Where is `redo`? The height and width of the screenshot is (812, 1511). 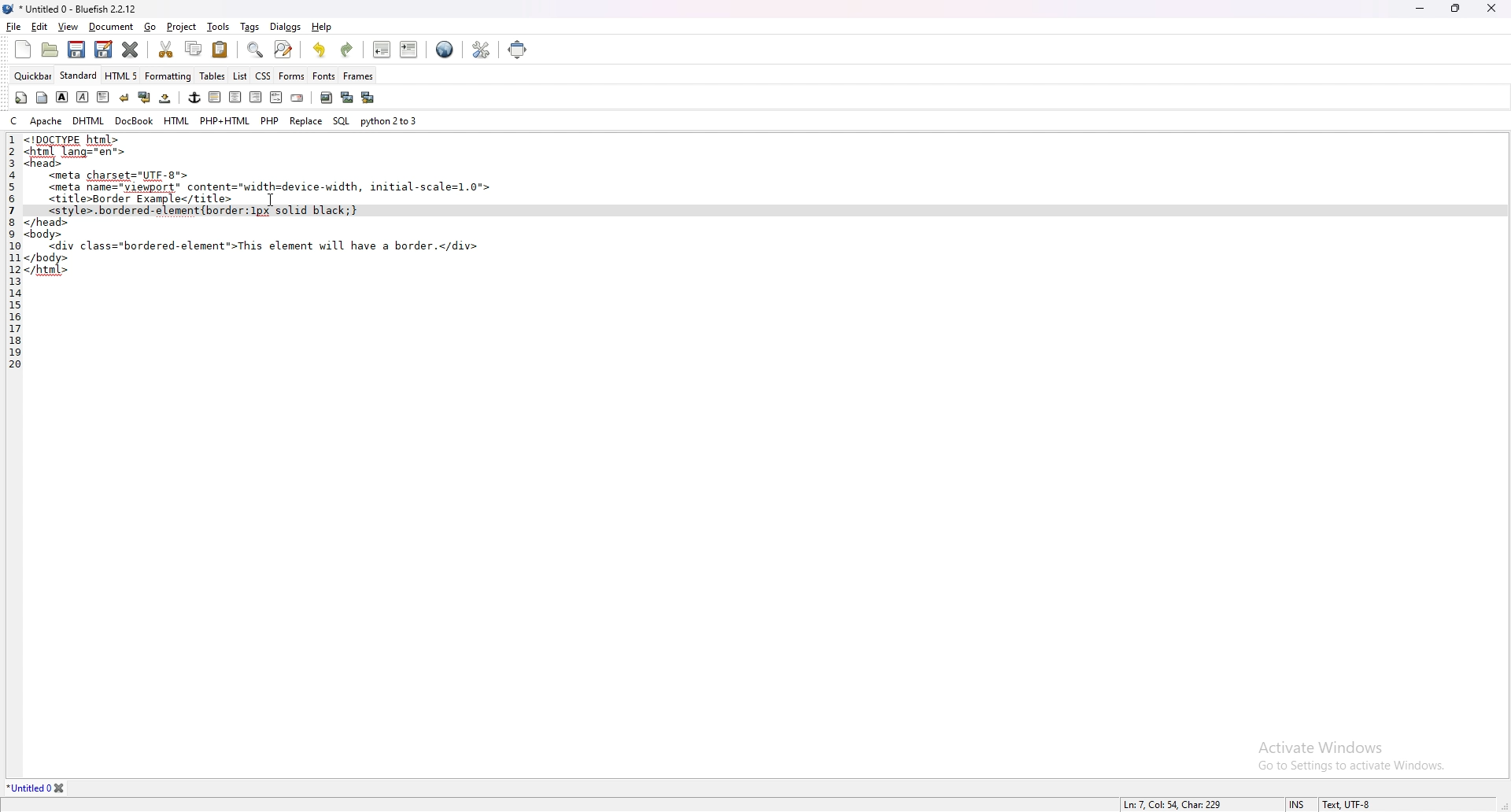 redo is located at coordinates (345, 50).